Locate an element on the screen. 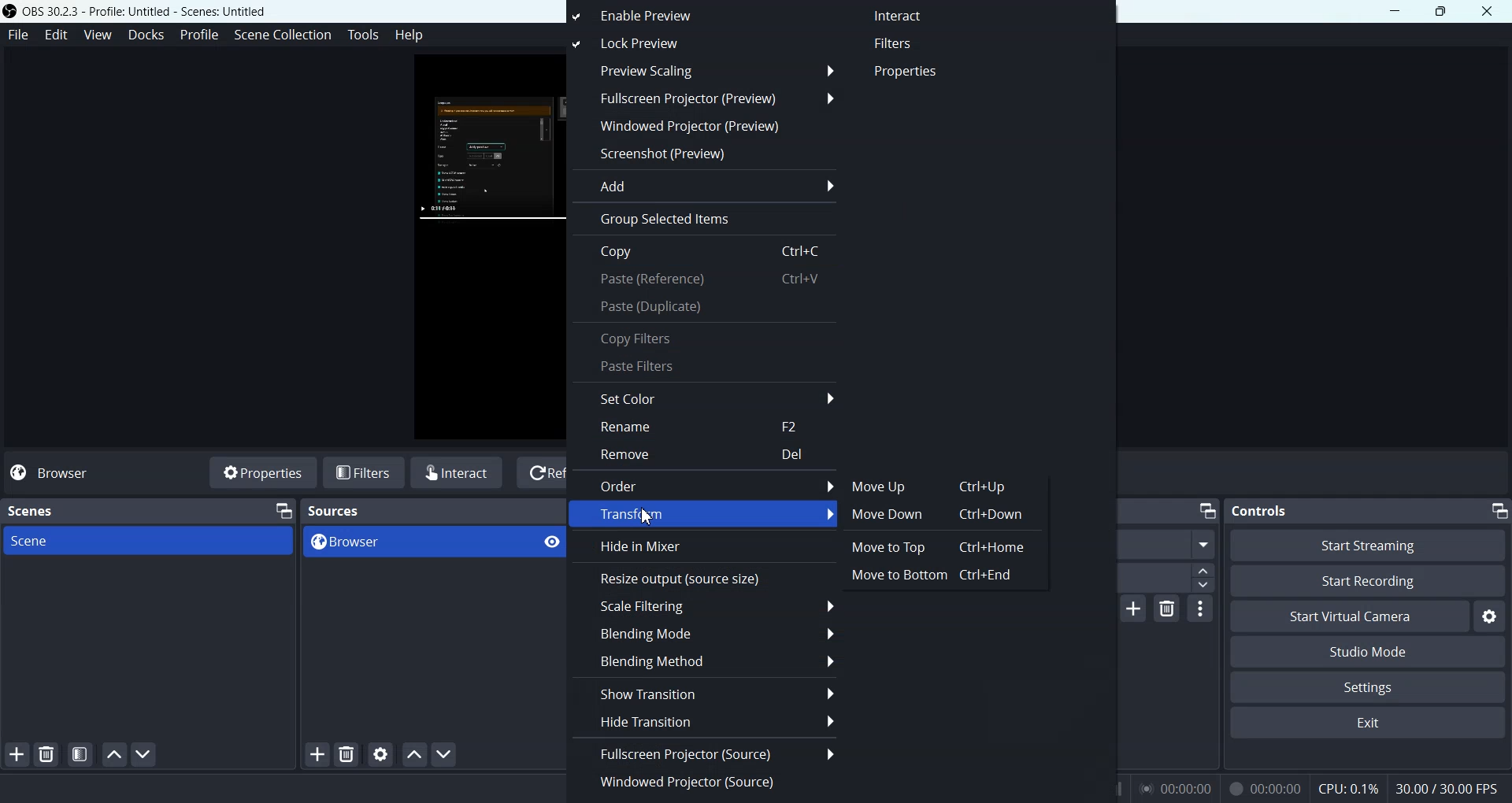 The image size is (1512, 803). Filters is located at coordinates (365, 472).